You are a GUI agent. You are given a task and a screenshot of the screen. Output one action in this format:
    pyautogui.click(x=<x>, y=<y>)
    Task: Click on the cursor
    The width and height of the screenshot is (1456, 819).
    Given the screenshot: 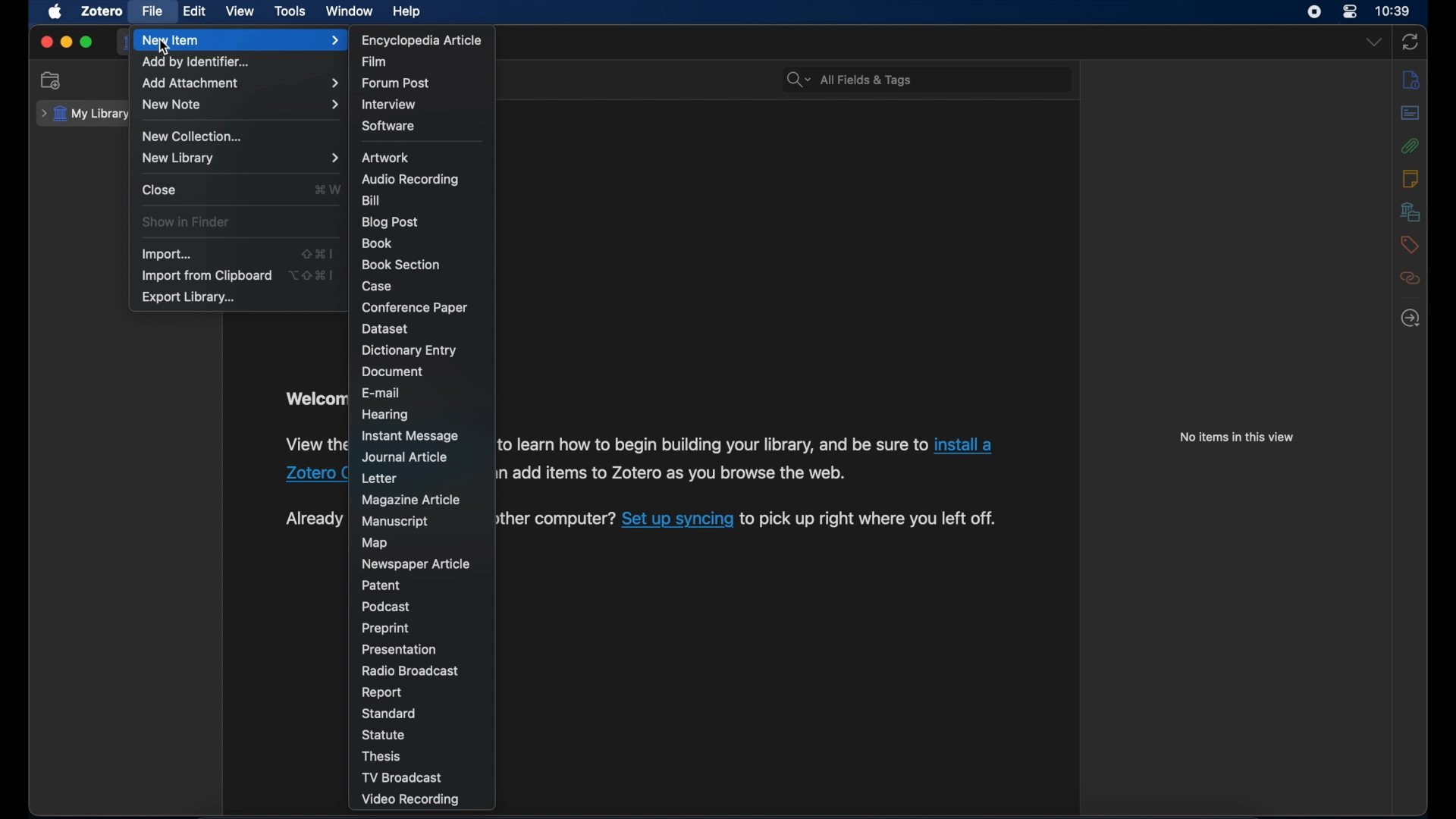 What is the action you would take?
    pyautogui.click(x=163, y=49)
    